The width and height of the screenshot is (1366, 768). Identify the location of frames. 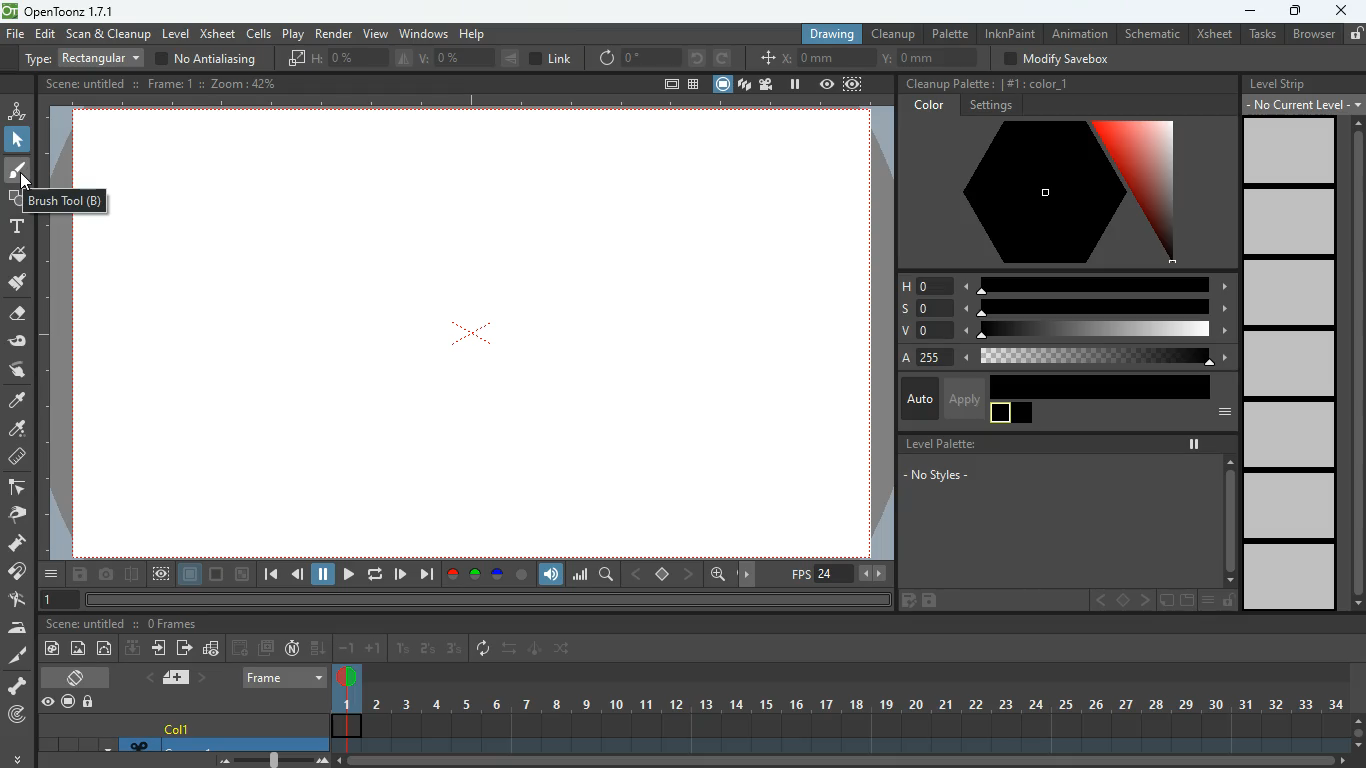
(172, 624).